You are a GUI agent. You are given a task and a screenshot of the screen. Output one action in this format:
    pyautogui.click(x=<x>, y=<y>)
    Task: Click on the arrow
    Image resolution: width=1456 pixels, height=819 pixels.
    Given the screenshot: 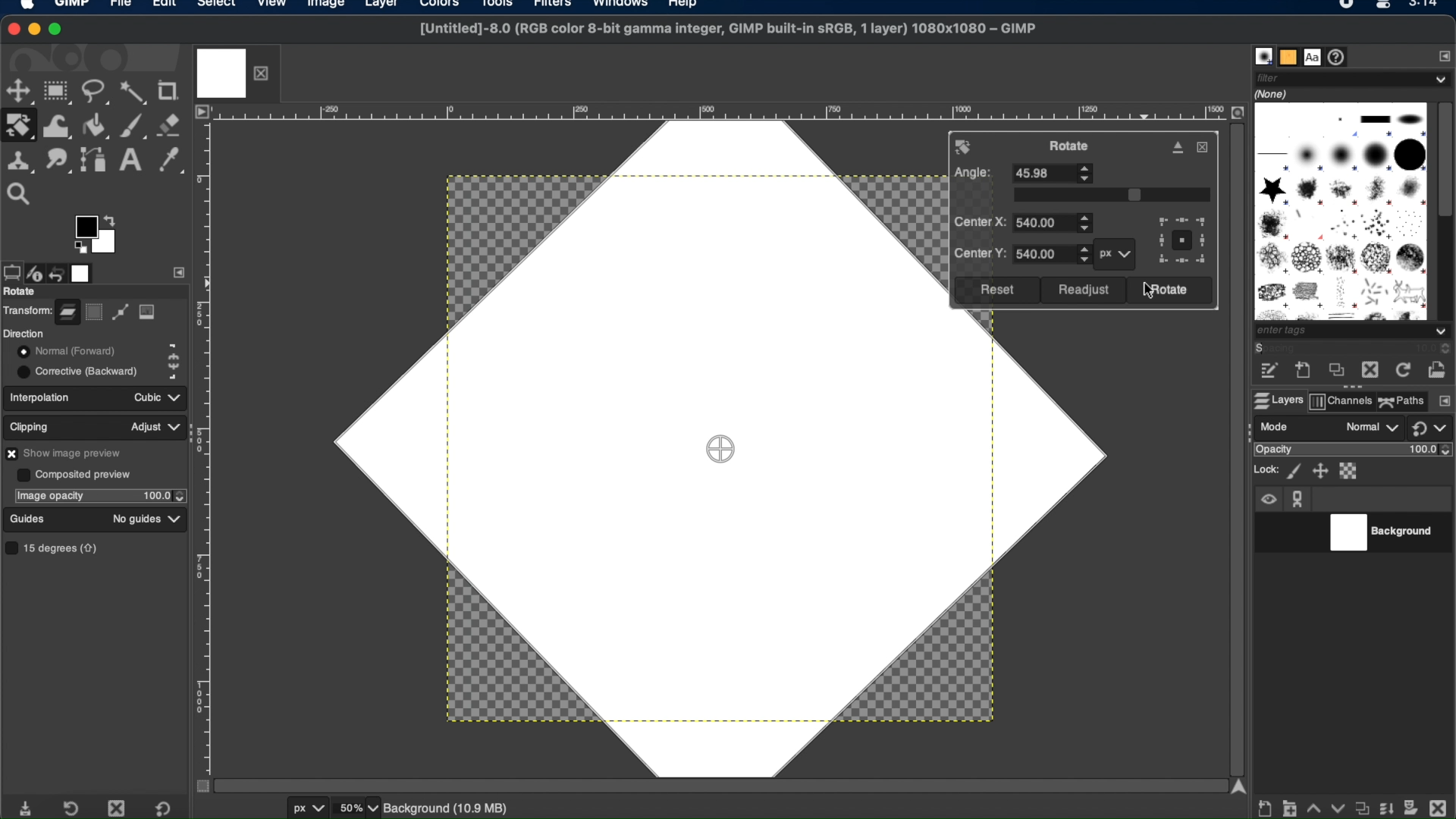 What is the action you would take?
    pyautogui.click(x=112, y=218)
    